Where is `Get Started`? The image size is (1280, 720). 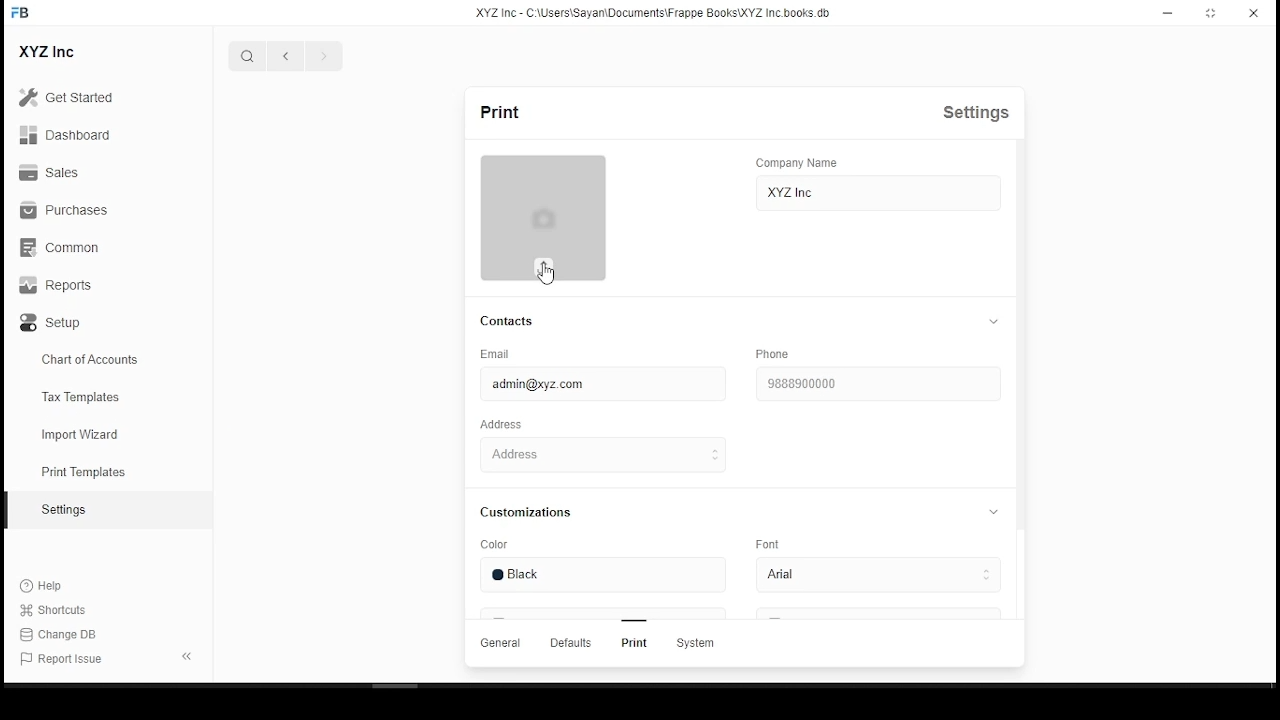 Get Started is located at coordinates (73, 97).